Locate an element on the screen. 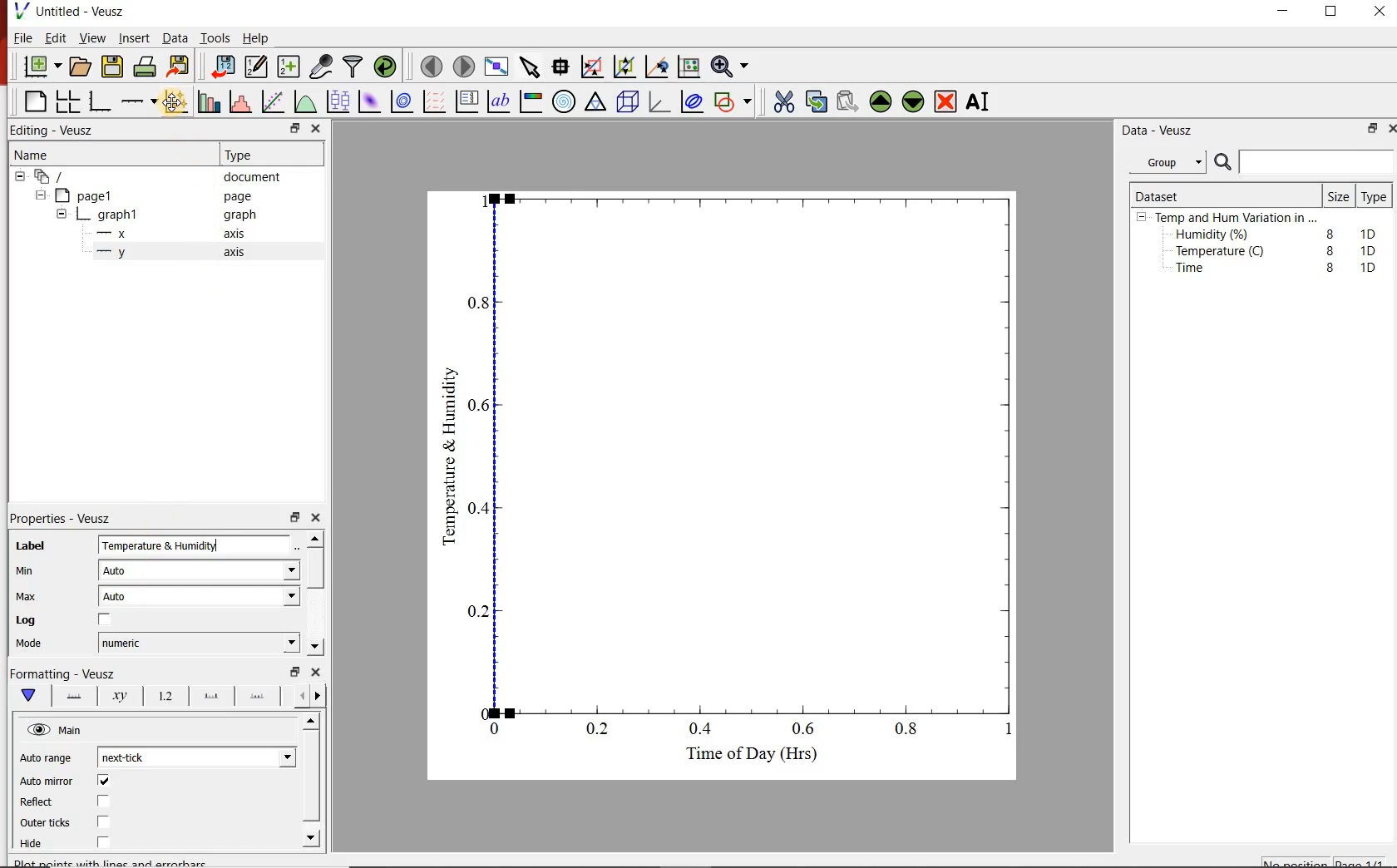 The height and width of the screenshot is (868, 1397). visible (click to hide, set Hide to true) is located at coordinates (37, 731).